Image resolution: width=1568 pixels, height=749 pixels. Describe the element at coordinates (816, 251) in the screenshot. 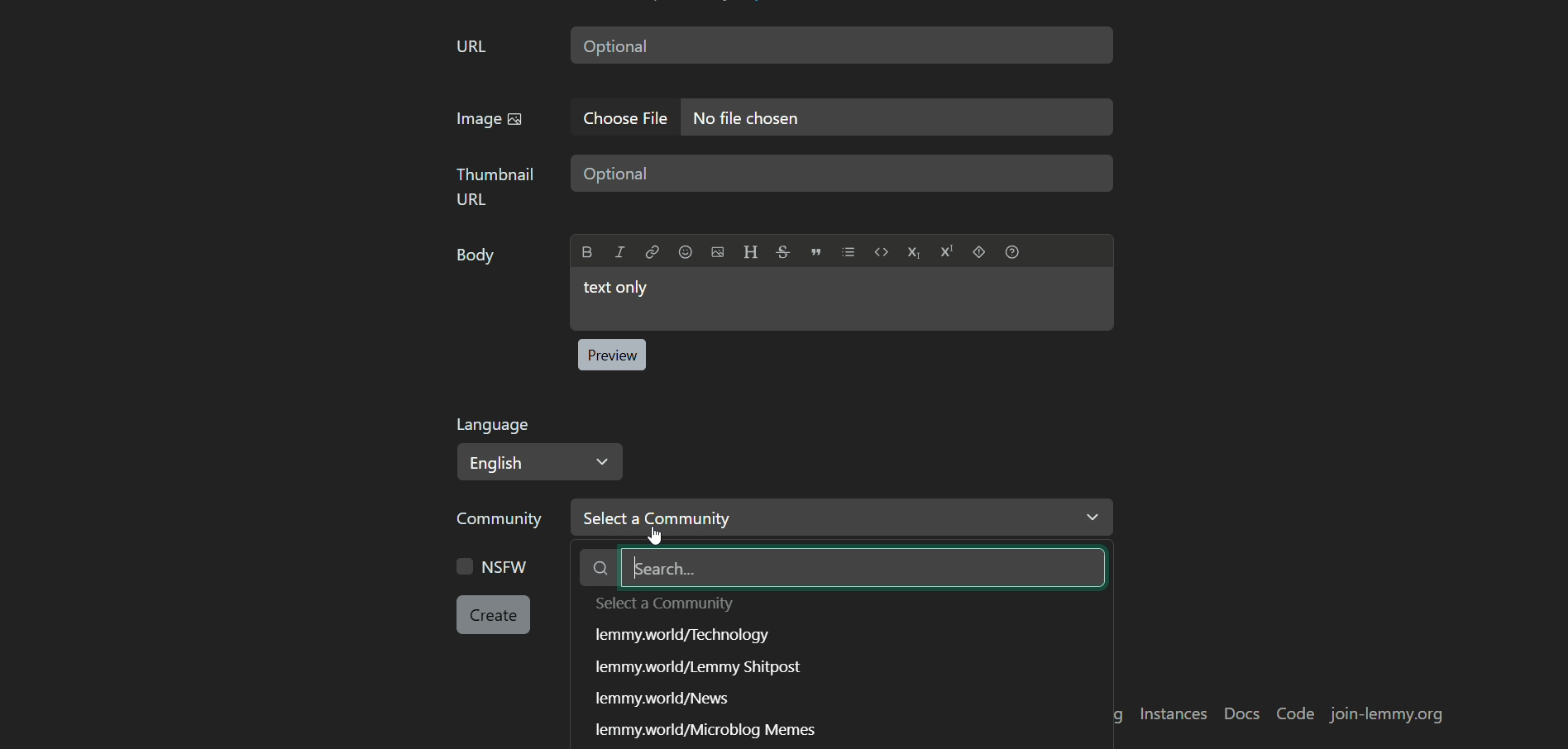

I see `Quote` at that location.